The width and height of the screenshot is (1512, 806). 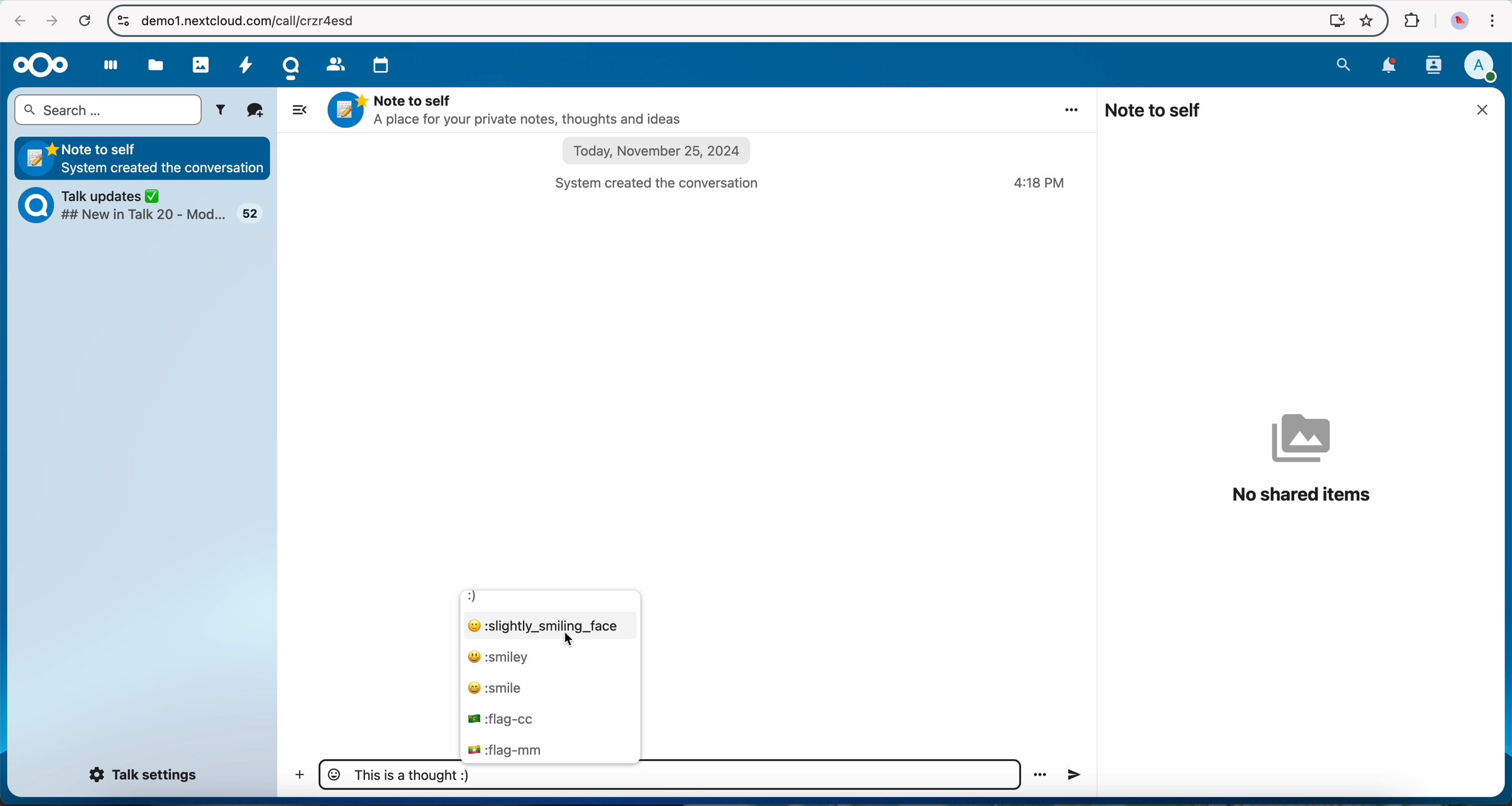 I want to click on notifications, so click(x=1392, y=67).